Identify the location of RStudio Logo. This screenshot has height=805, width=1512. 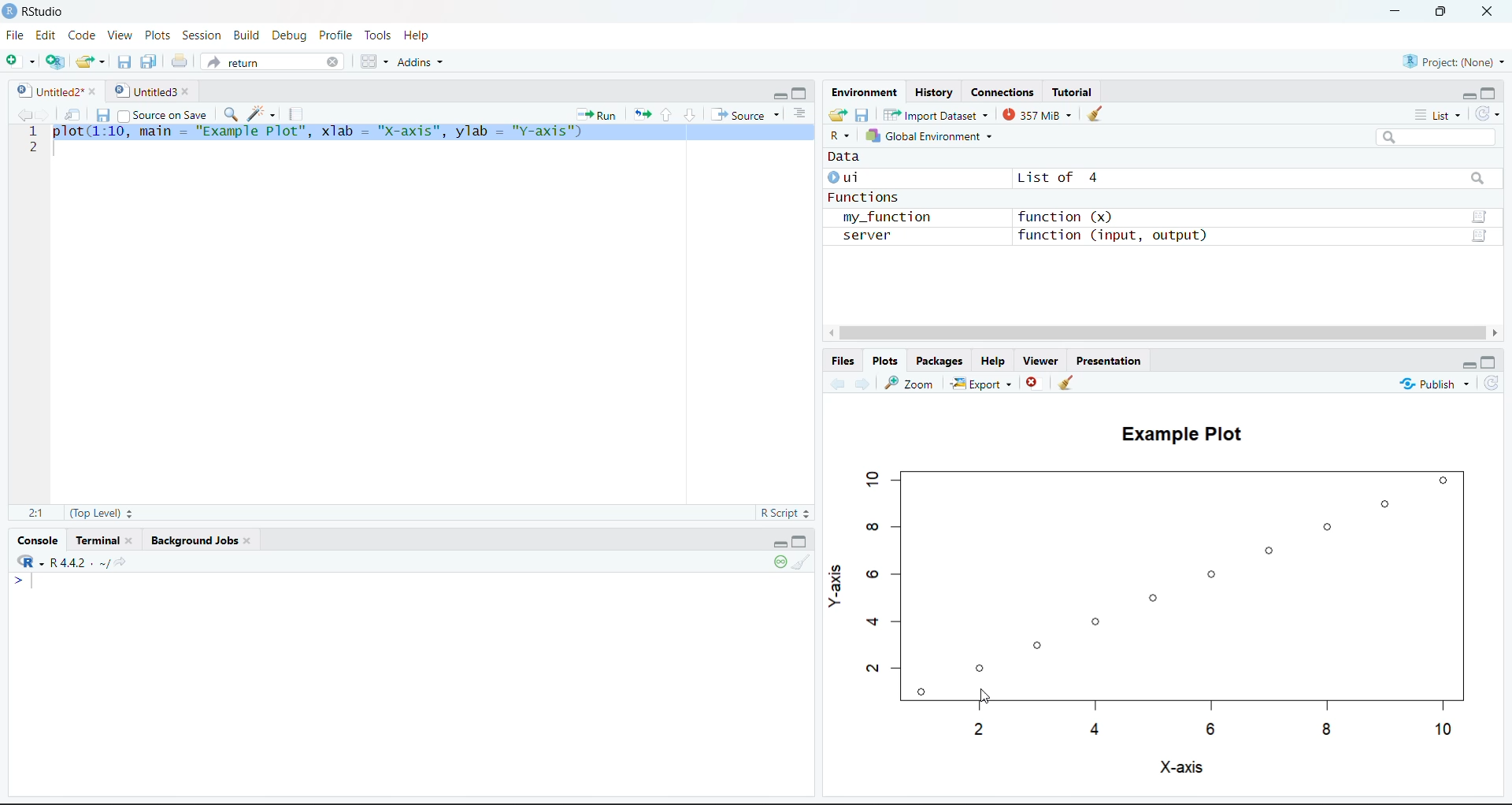
(24, 559).